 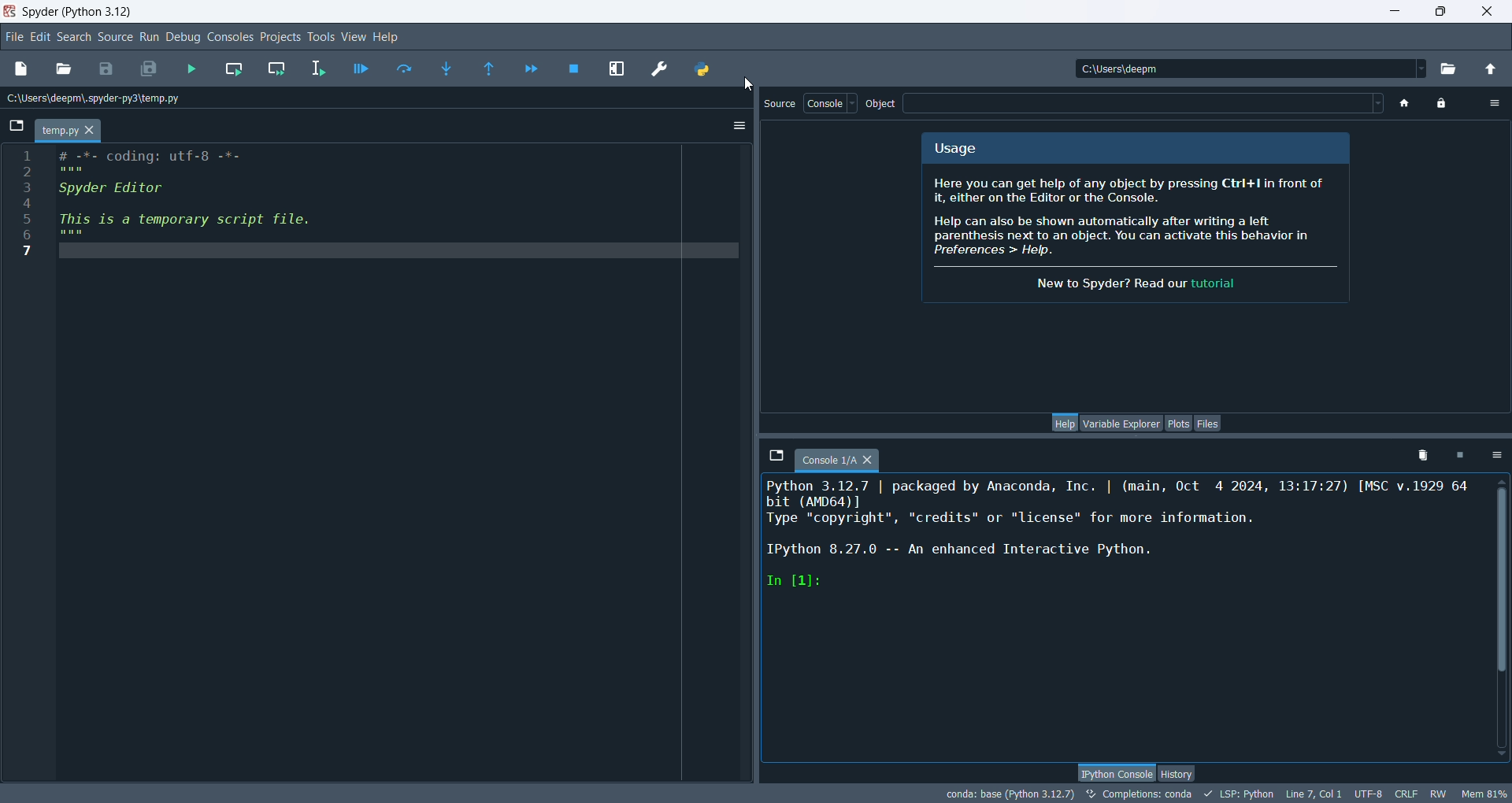 I want to click on object, so click(x=880, y=103).